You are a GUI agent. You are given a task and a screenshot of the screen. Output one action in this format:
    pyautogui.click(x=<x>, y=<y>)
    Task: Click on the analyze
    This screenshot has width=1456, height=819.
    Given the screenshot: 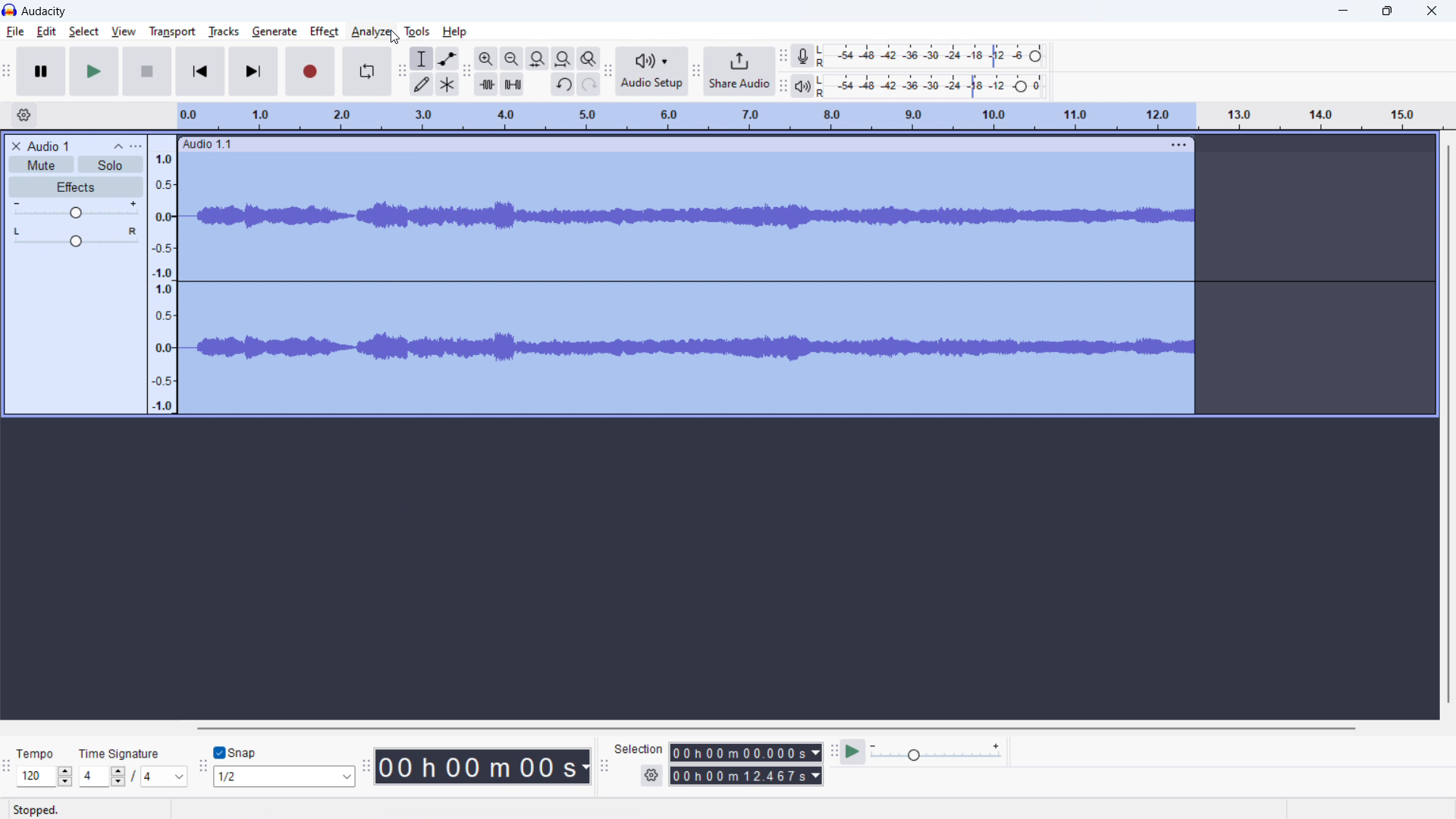 What is the action you would take?
    pyautogui.click(x=371, y=32)
    